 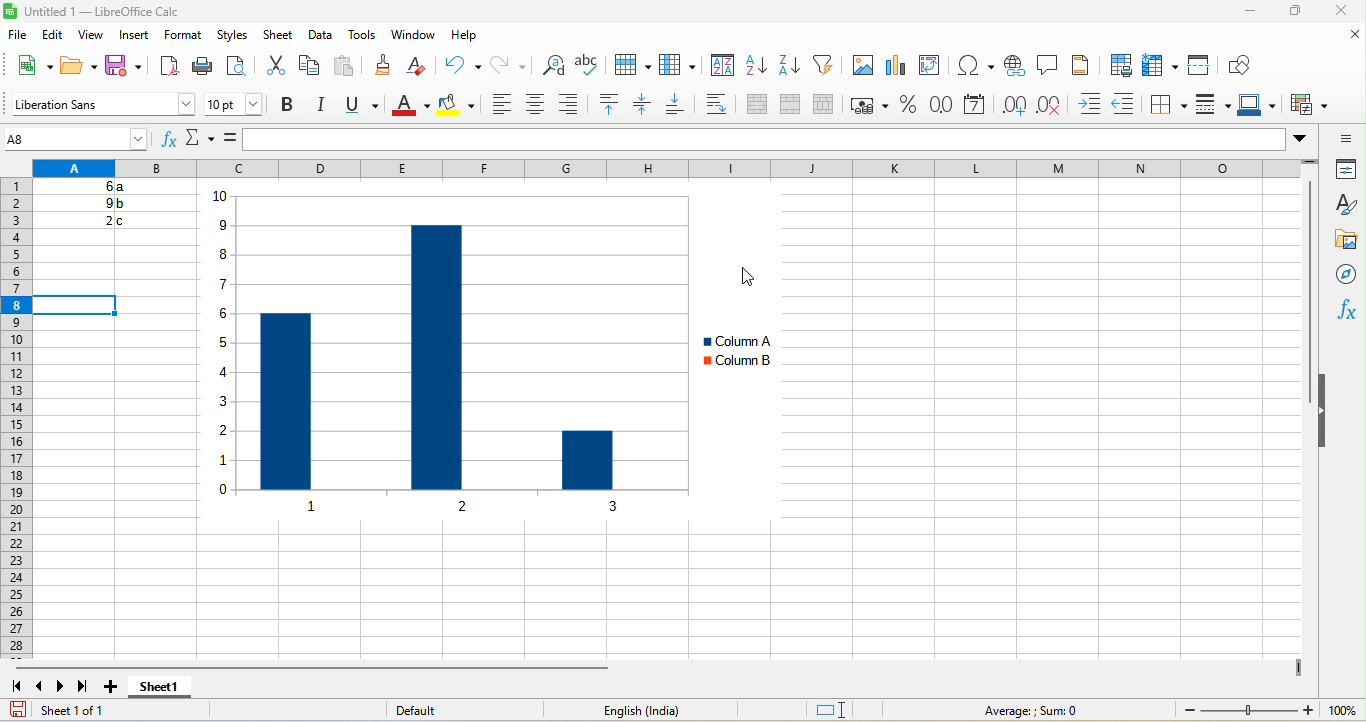 What do you see at coordinates (169, 68) in the screenshot?
I see `export direct as pdf` at bounding box center [169, 68].